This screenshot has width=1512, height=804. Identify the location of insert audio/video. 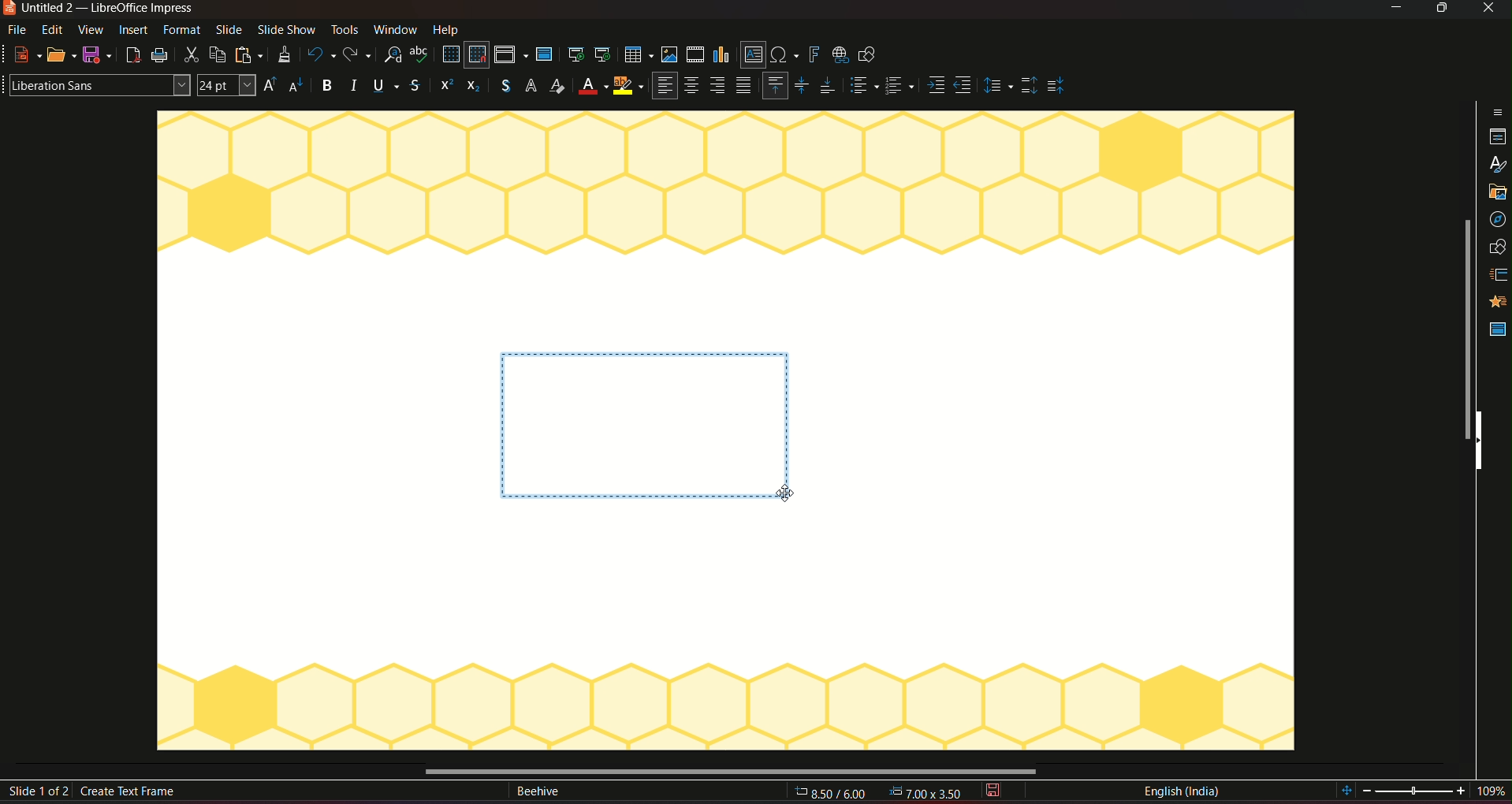
(695, 55).